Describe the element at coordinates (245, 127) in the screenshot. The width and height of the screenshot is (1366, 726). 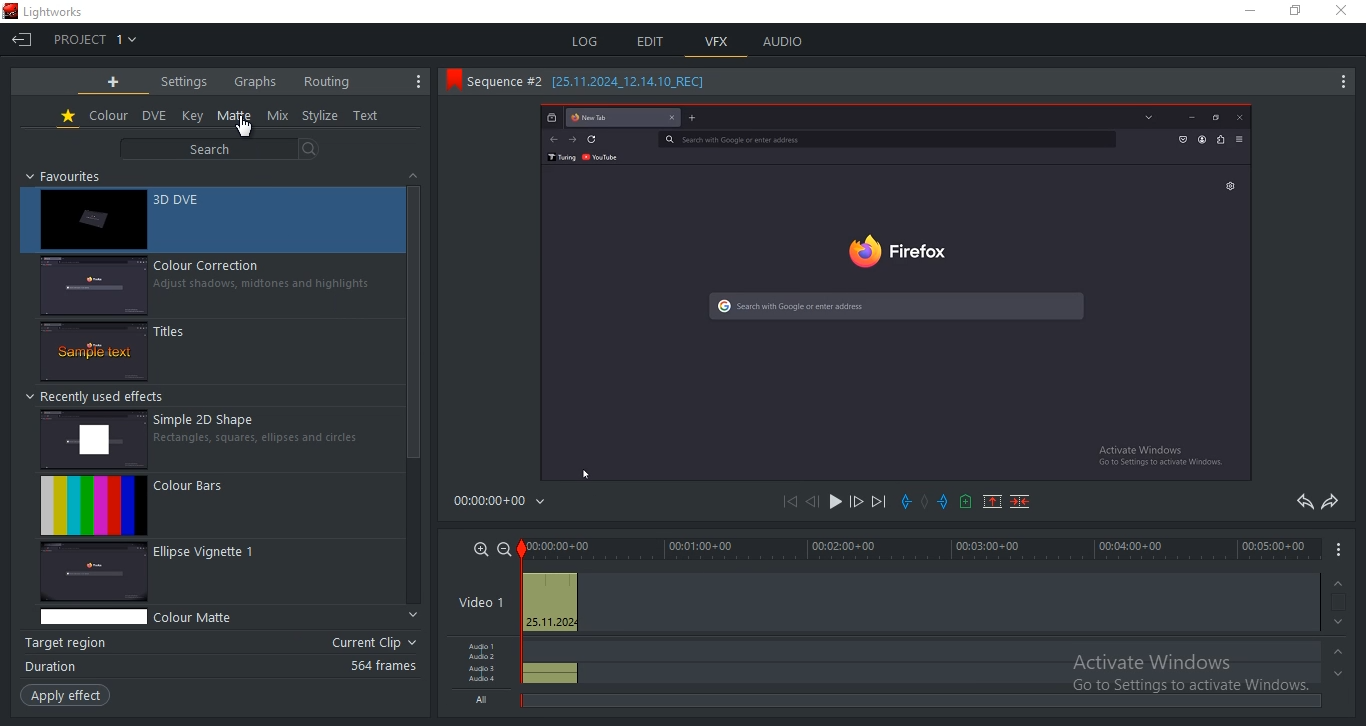
I see `cursor` at that location.